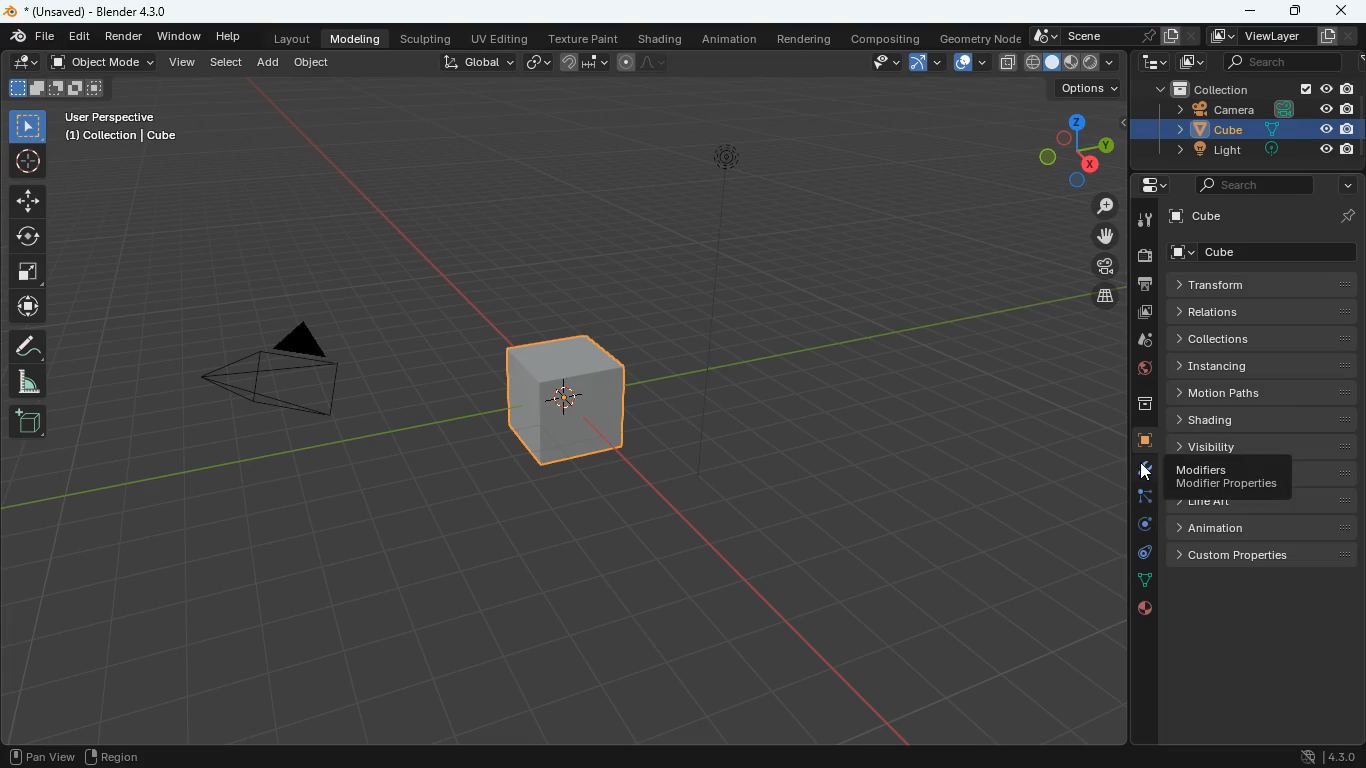 The height and width of the screenshot is (768, 1366). I want to click on zoom, so click(1102, 206).